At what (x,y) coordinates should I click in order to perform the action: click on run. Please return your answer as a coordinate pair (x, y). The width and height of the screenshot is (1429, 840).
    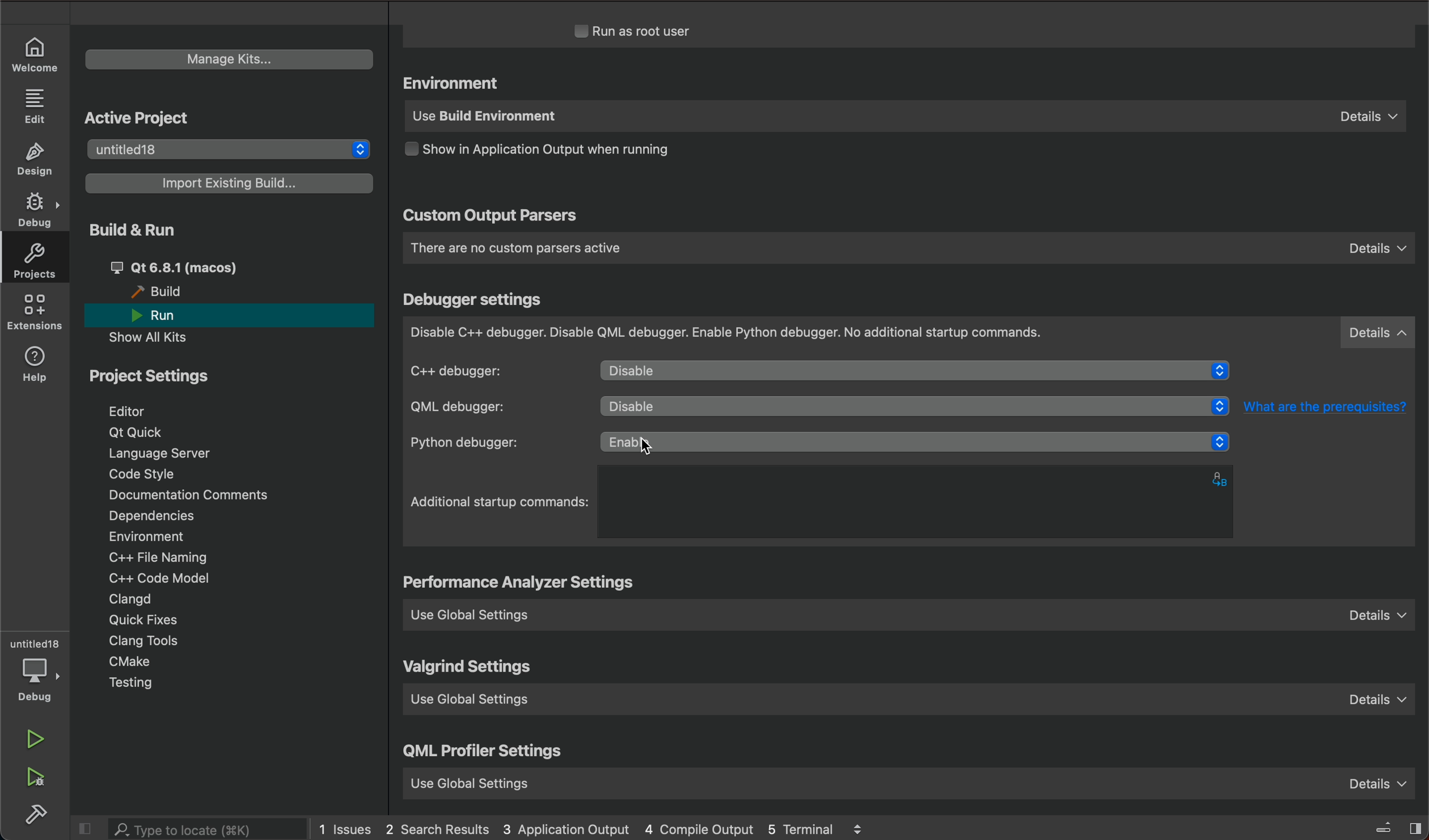
    Looking at the image, I should click on (35, 738).